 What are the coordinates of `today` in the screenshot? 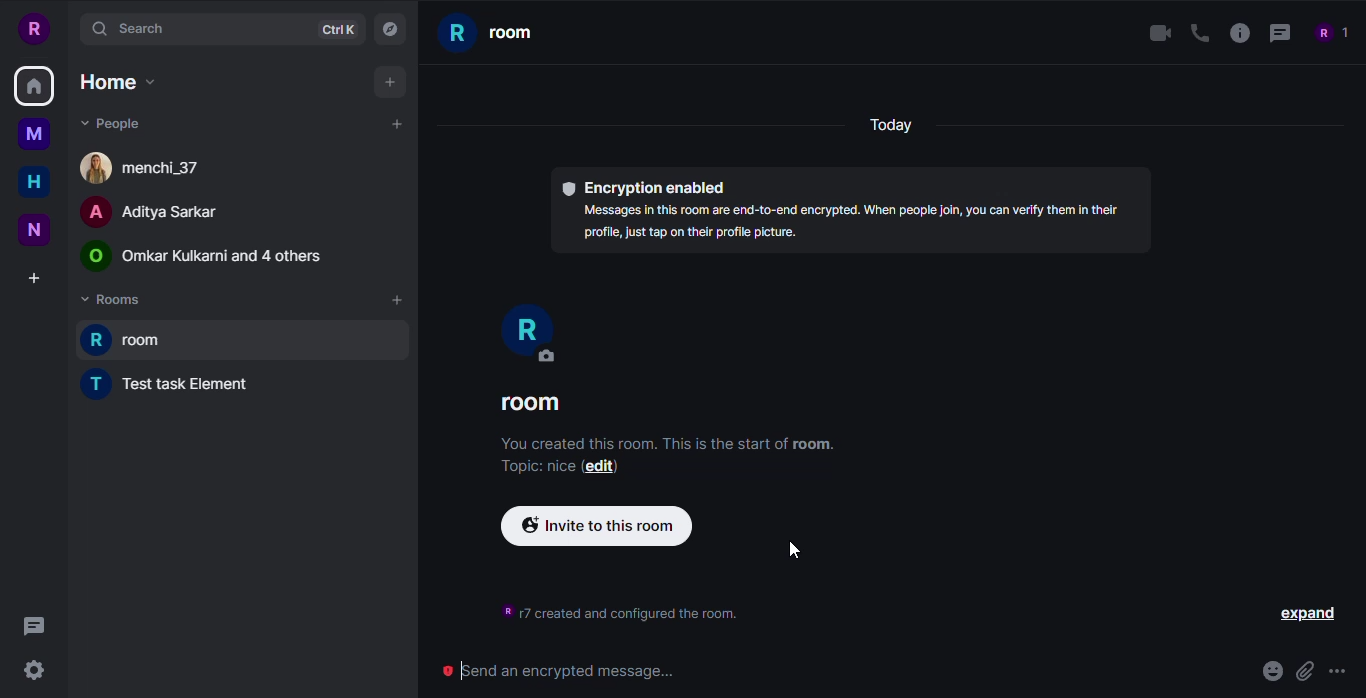 It's located at (891, 123).